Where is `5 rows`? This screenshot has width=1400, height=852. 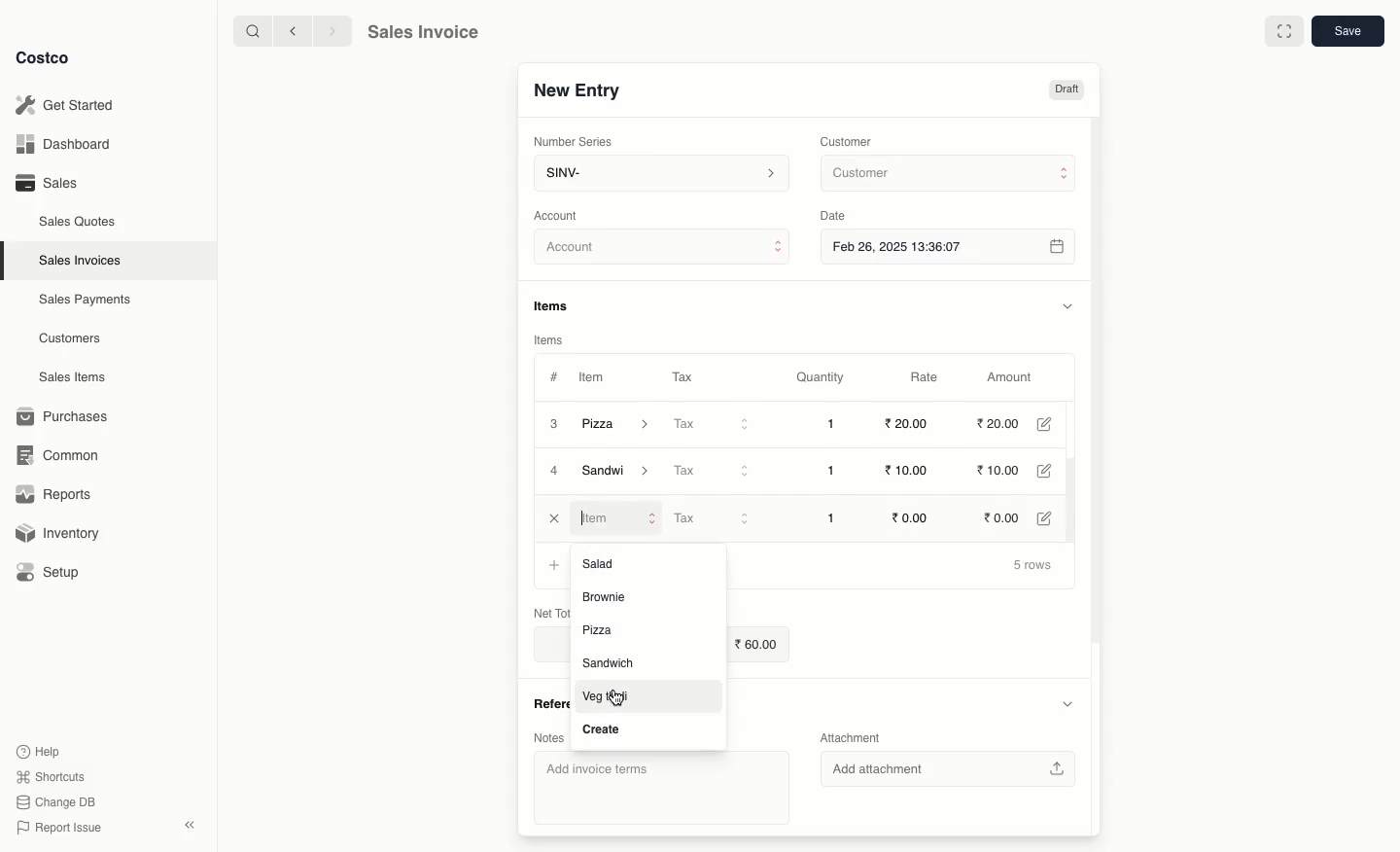 5 rows is located at coordinates (1033, 566).